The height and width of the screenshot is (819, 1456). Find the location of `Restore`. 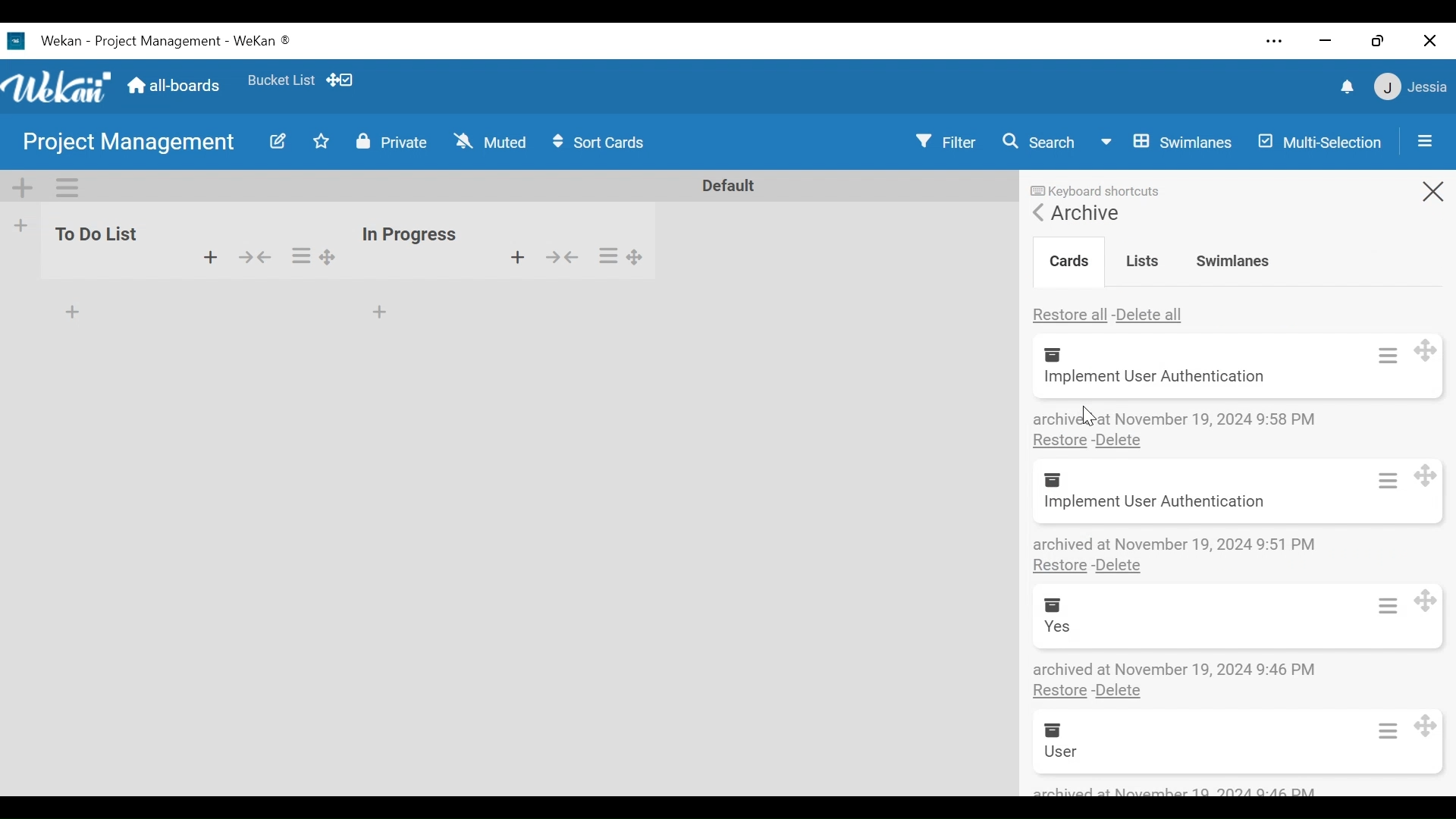

Restore is located at coordinates (1061, 566).